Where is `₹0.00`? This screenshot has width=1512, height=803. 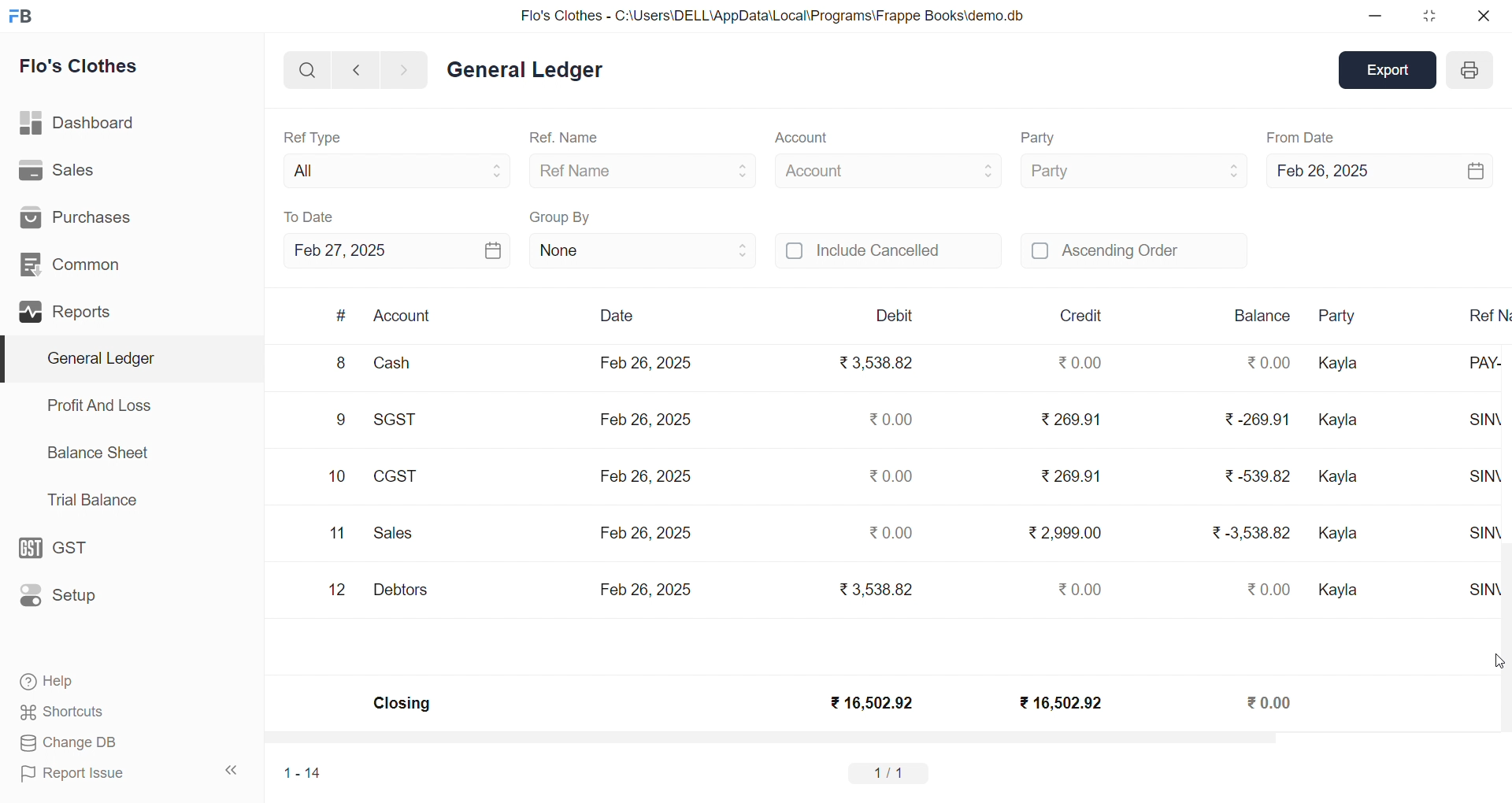
₹0.00 is located at coordinates (888, 419).